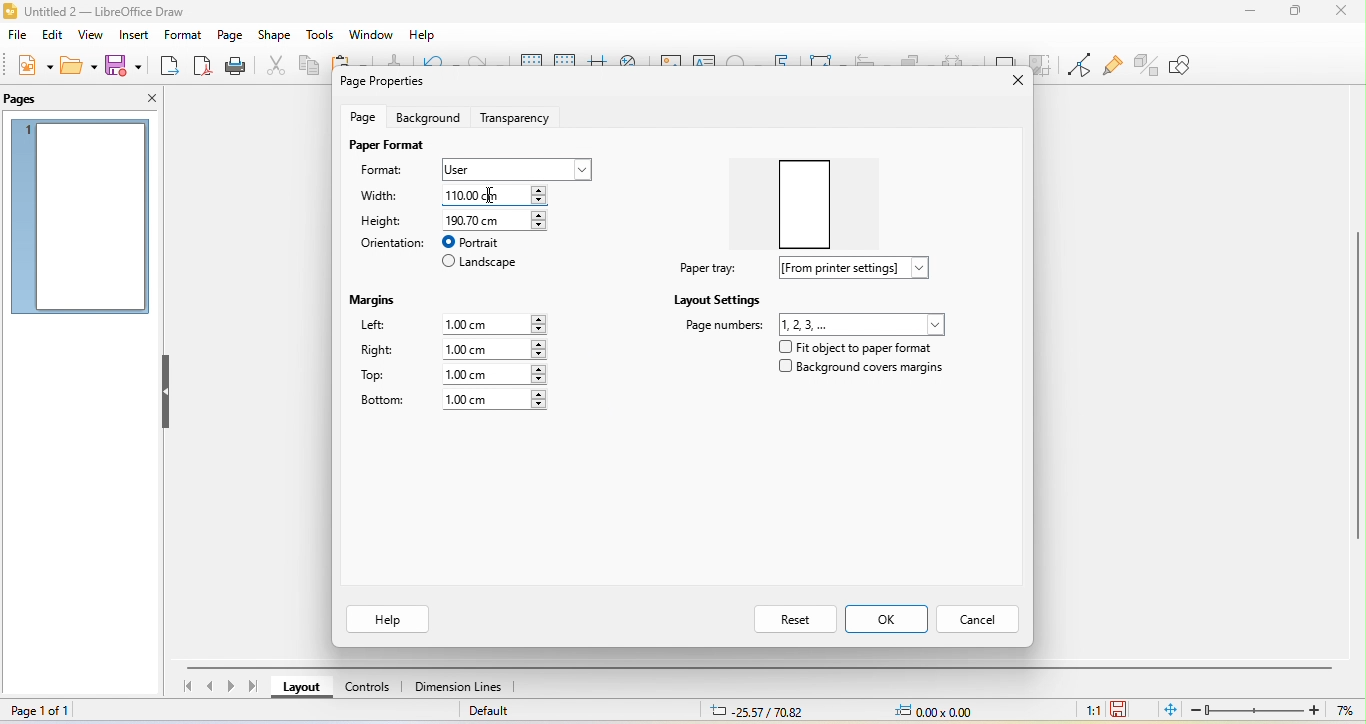 This screenshot has height=724, width=1366. Describe the element at coordinates (17, 37) in the screenshot. I see `file` at that location.